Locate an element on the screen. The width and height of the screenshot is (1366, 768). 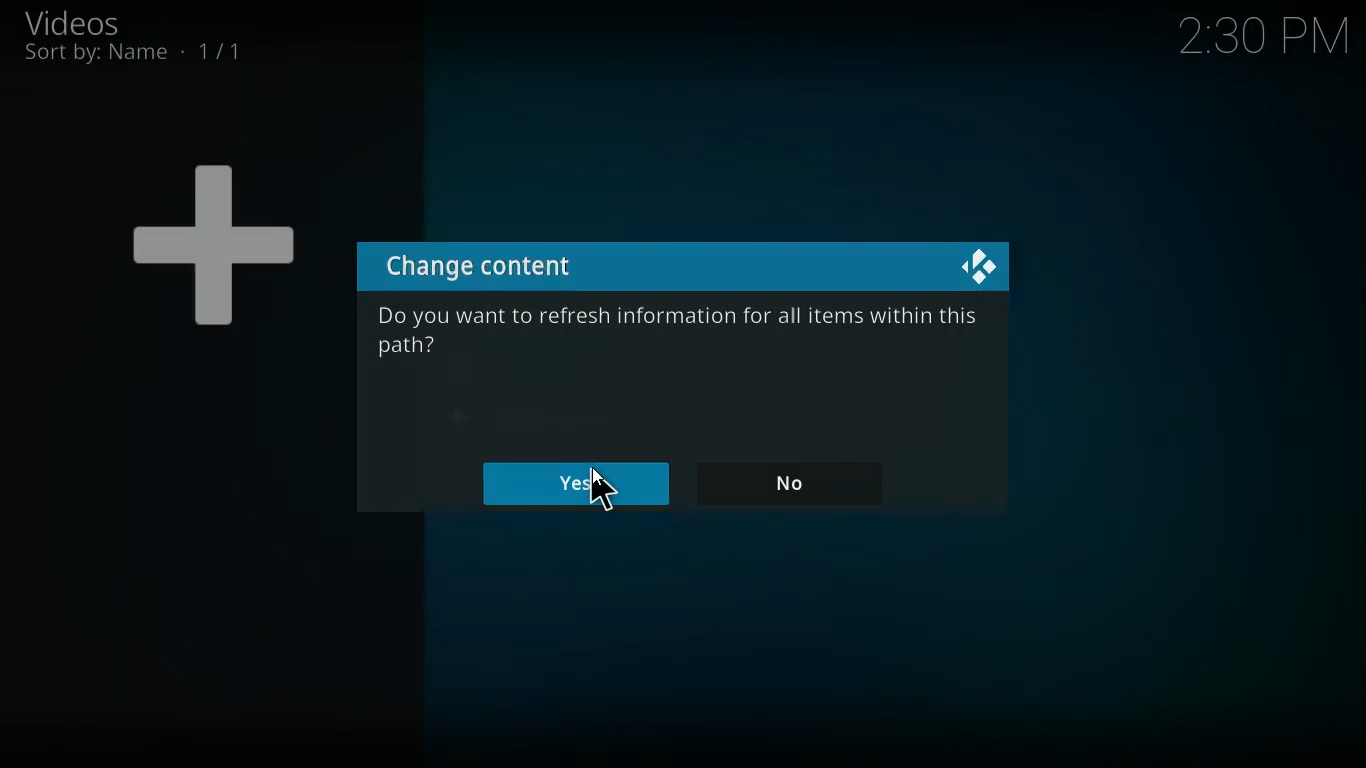
2:29 PM is located at coordinates (1264, 41).